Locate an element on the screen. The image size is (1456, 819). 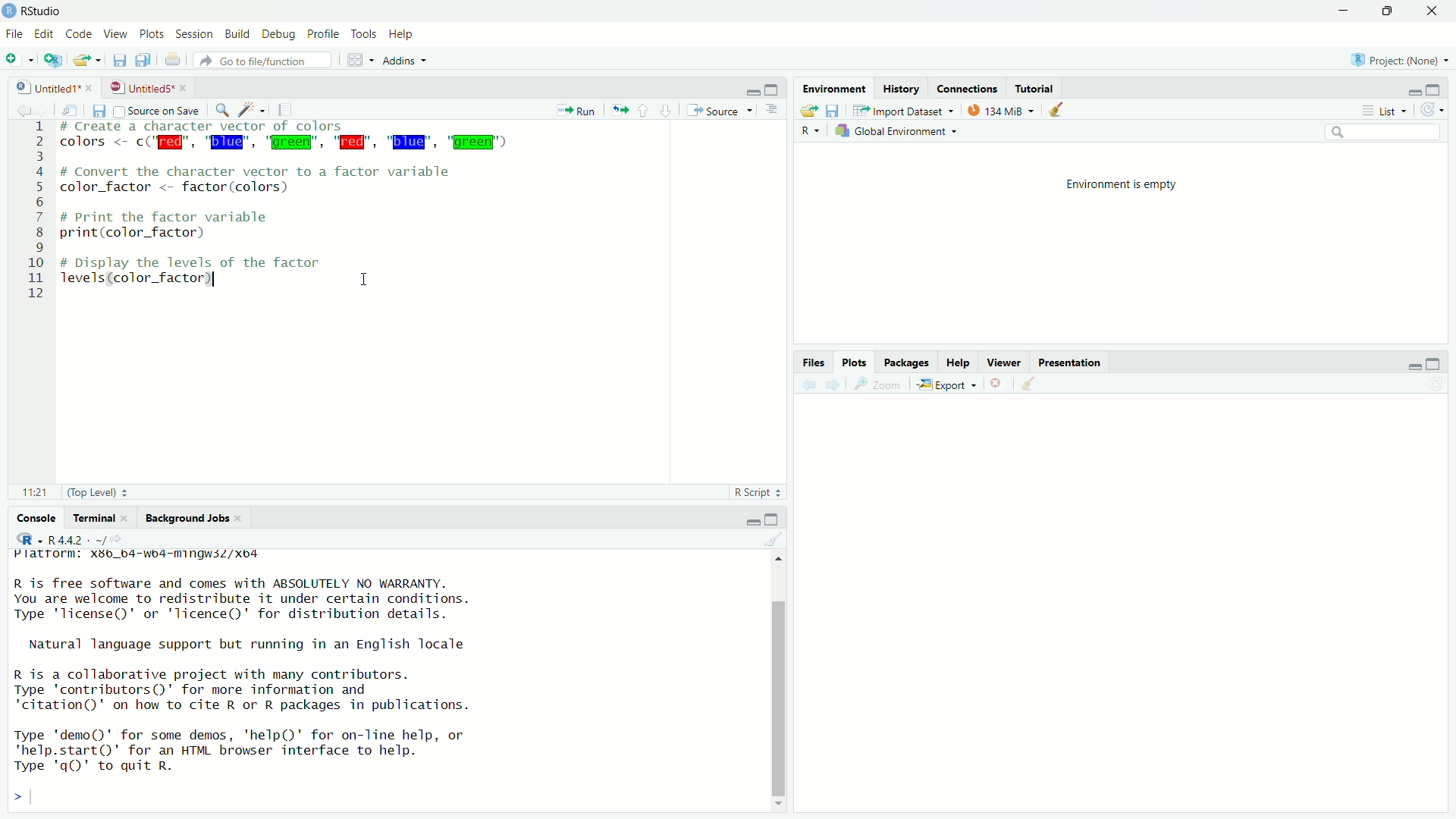
typing cursor is located at coordinates (38, 799).